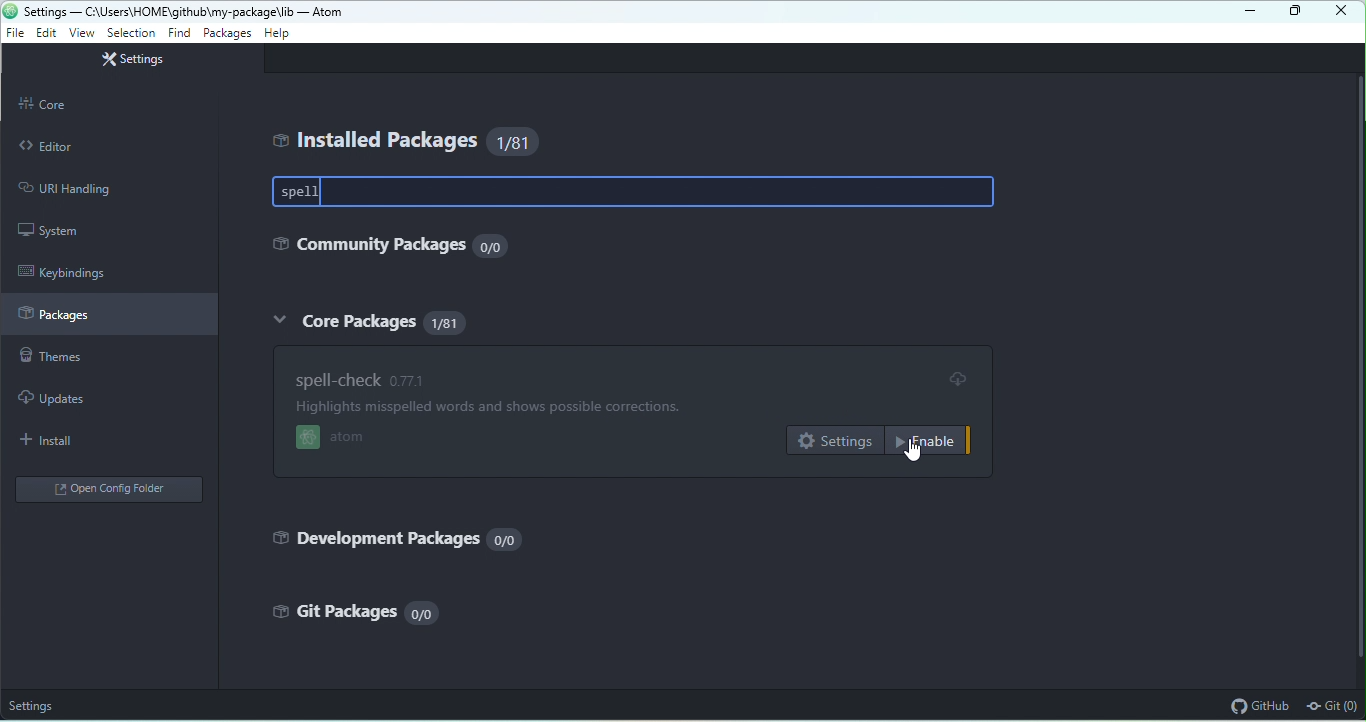 The image size is (1366, 722). I want to click on community packages, so click(385, 244).